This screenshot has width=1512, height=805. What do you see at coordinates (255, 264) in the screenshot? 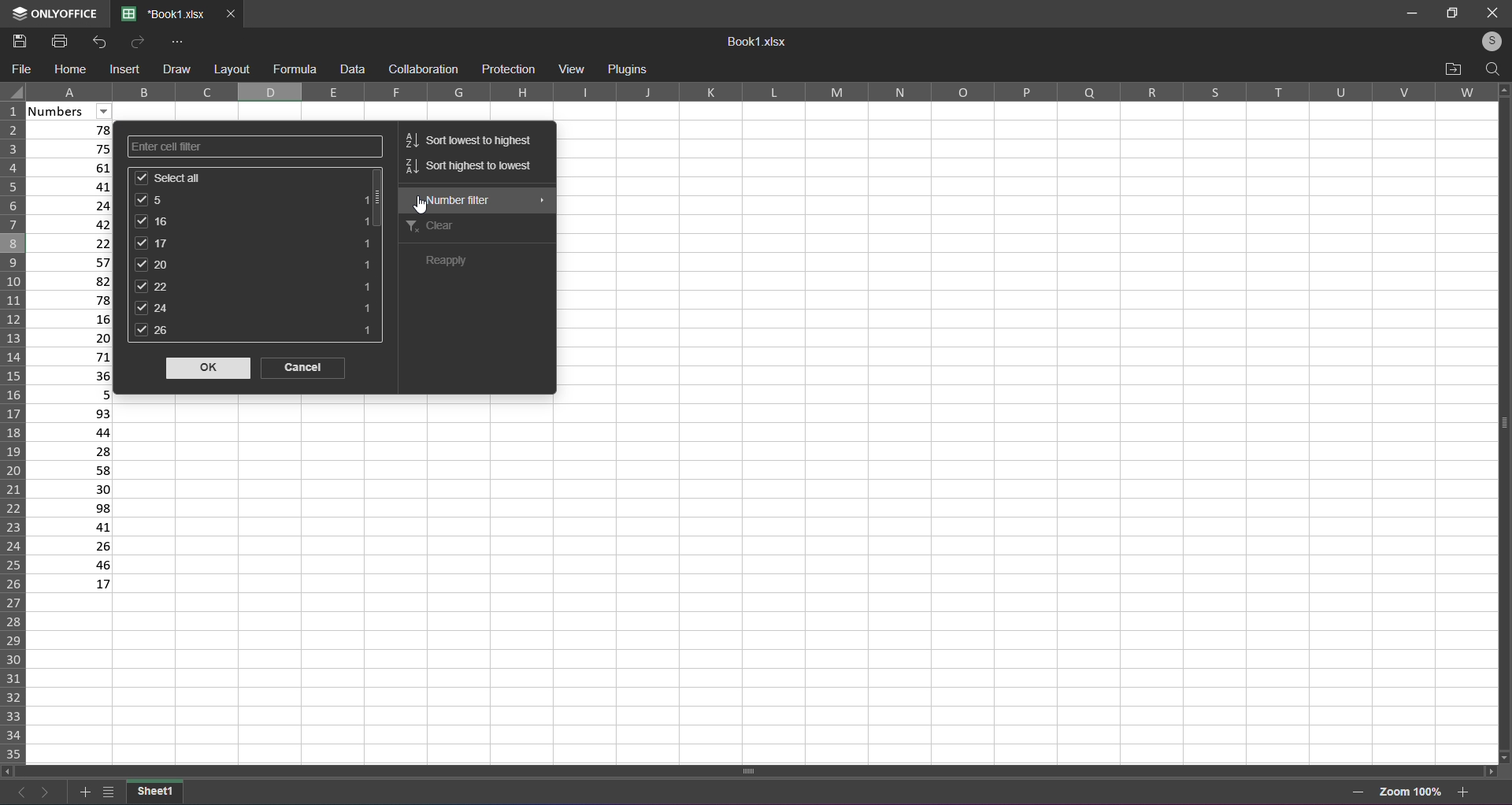
I see `20` at bounding box center [255, 264].